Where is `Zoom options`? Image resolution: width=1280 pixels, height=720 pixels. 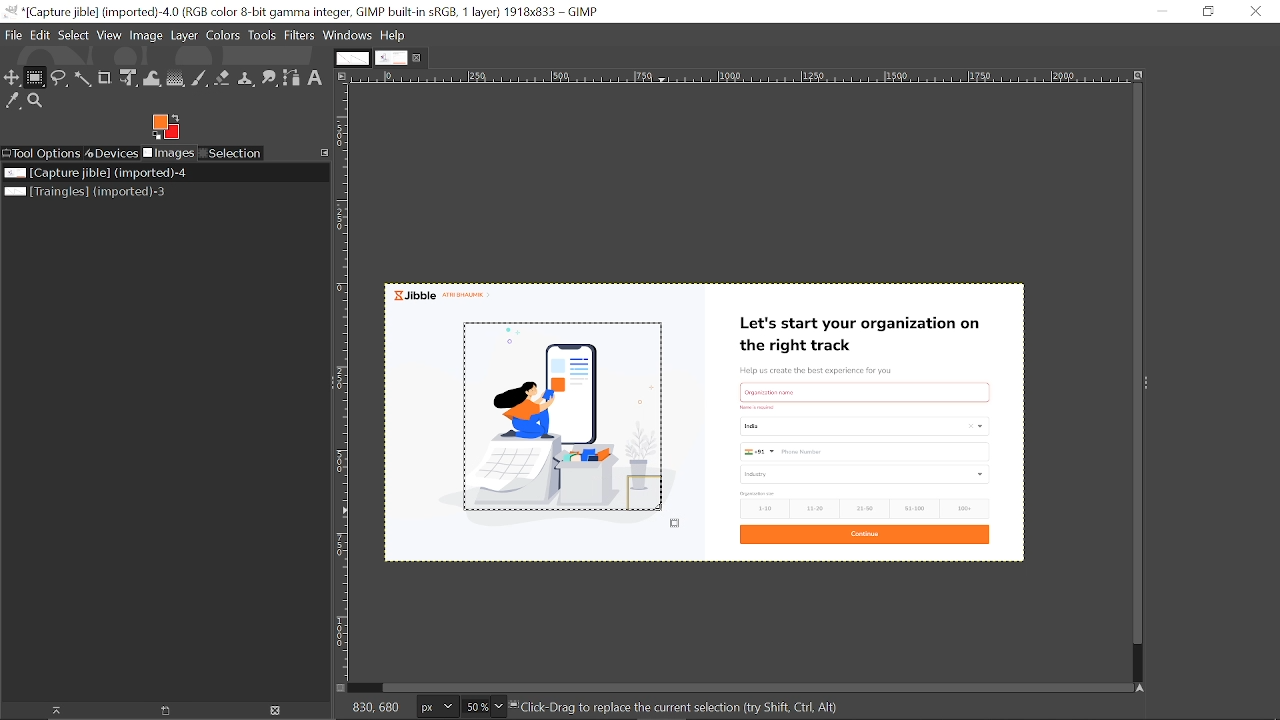 Zoom options is located at coordinates (500, 705).